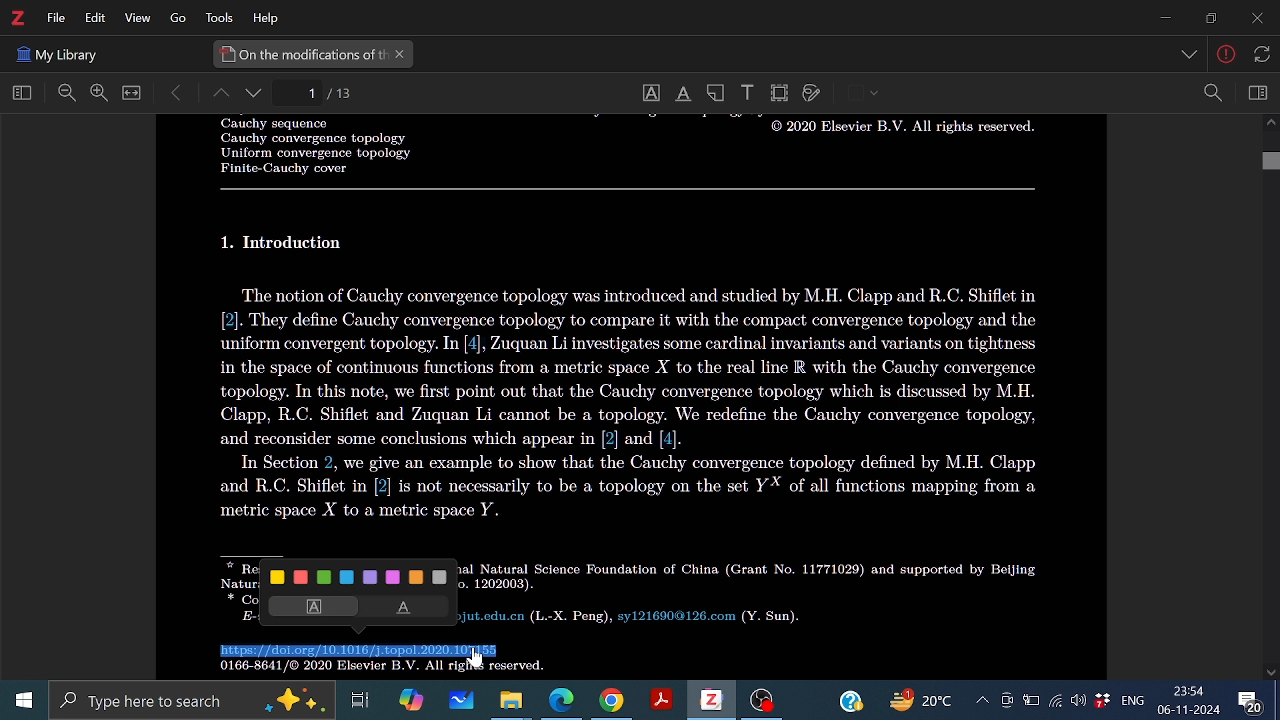  I want to click on Edit, so click(92, 18).